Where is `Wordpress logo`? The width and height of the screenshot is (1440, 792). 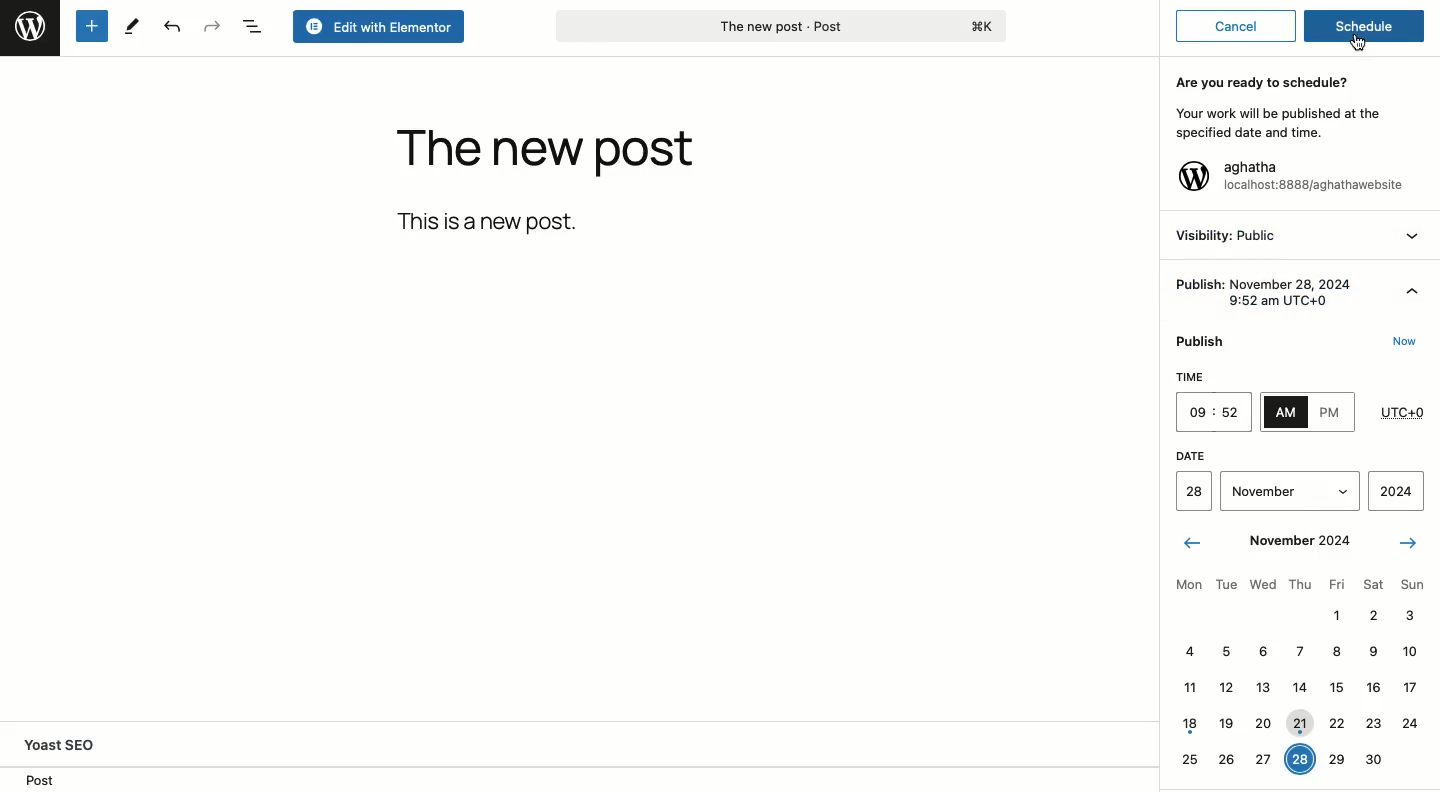
Wordpress logo is located at coordinates (1193, 176).